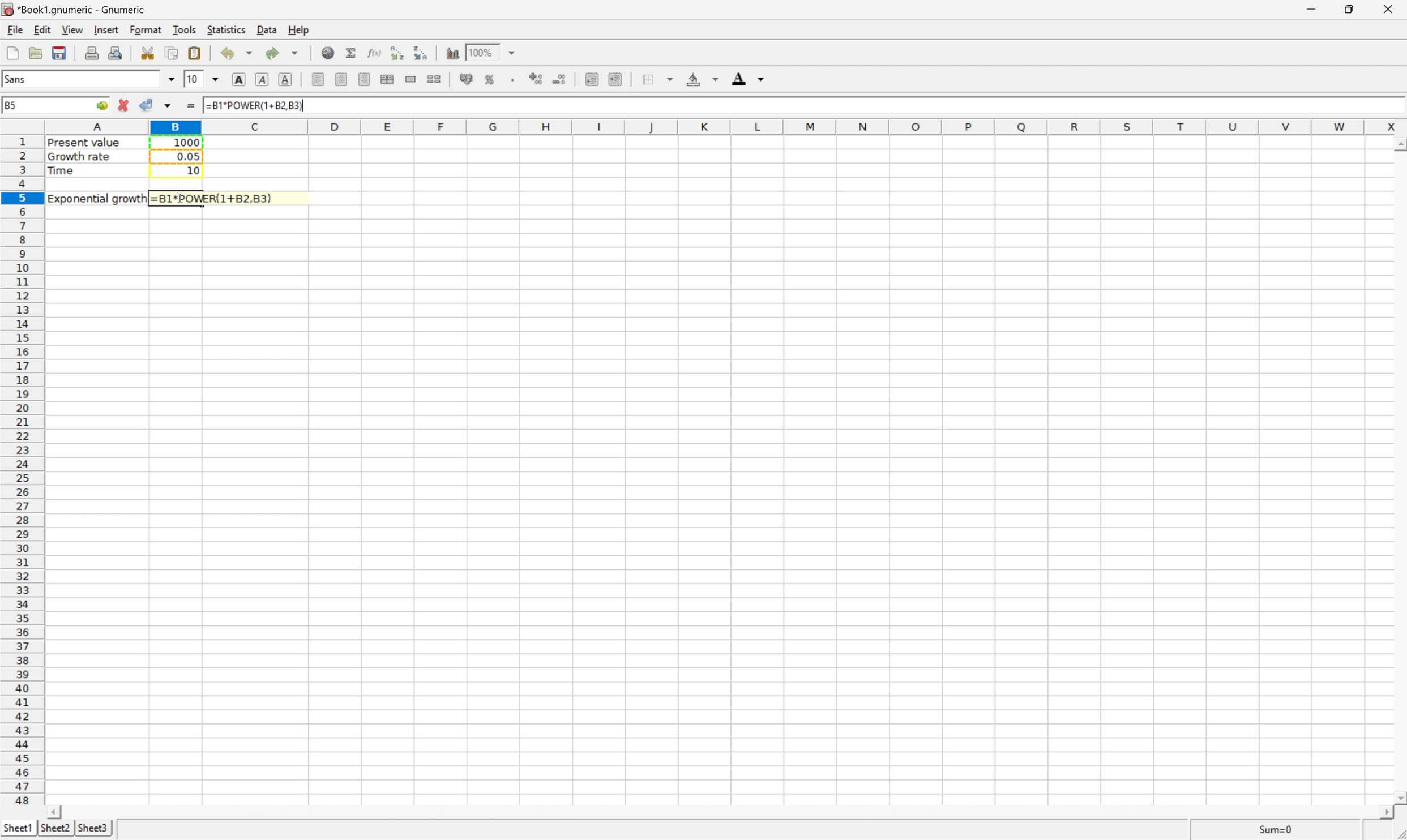 The image size is (1407, 840). I want to click on Background, so click(700, 79).